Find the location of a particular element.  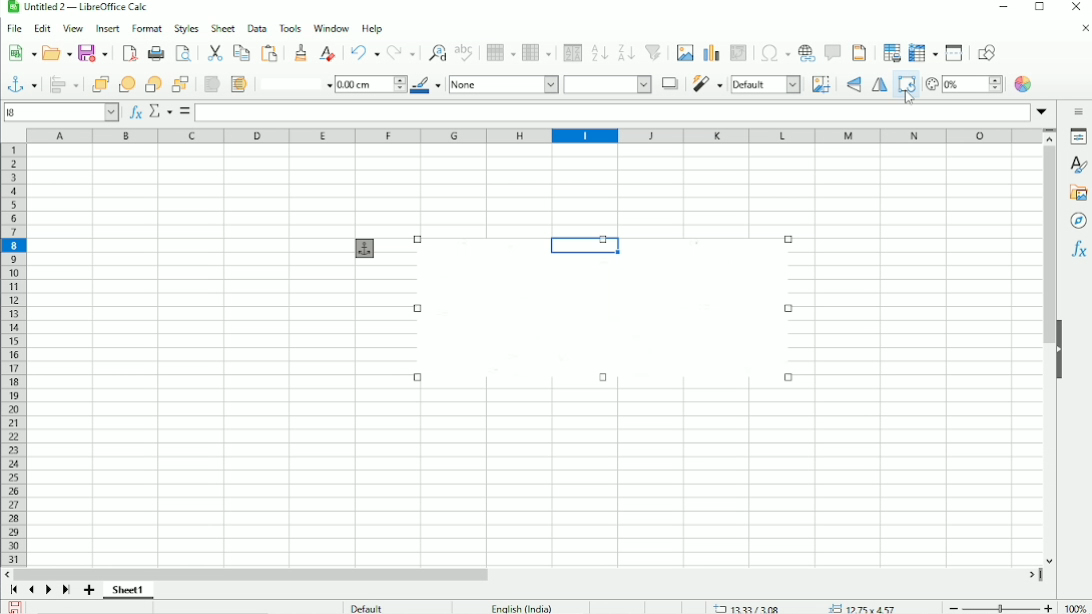

Flip horizontally is located at coordinates (877, 85).